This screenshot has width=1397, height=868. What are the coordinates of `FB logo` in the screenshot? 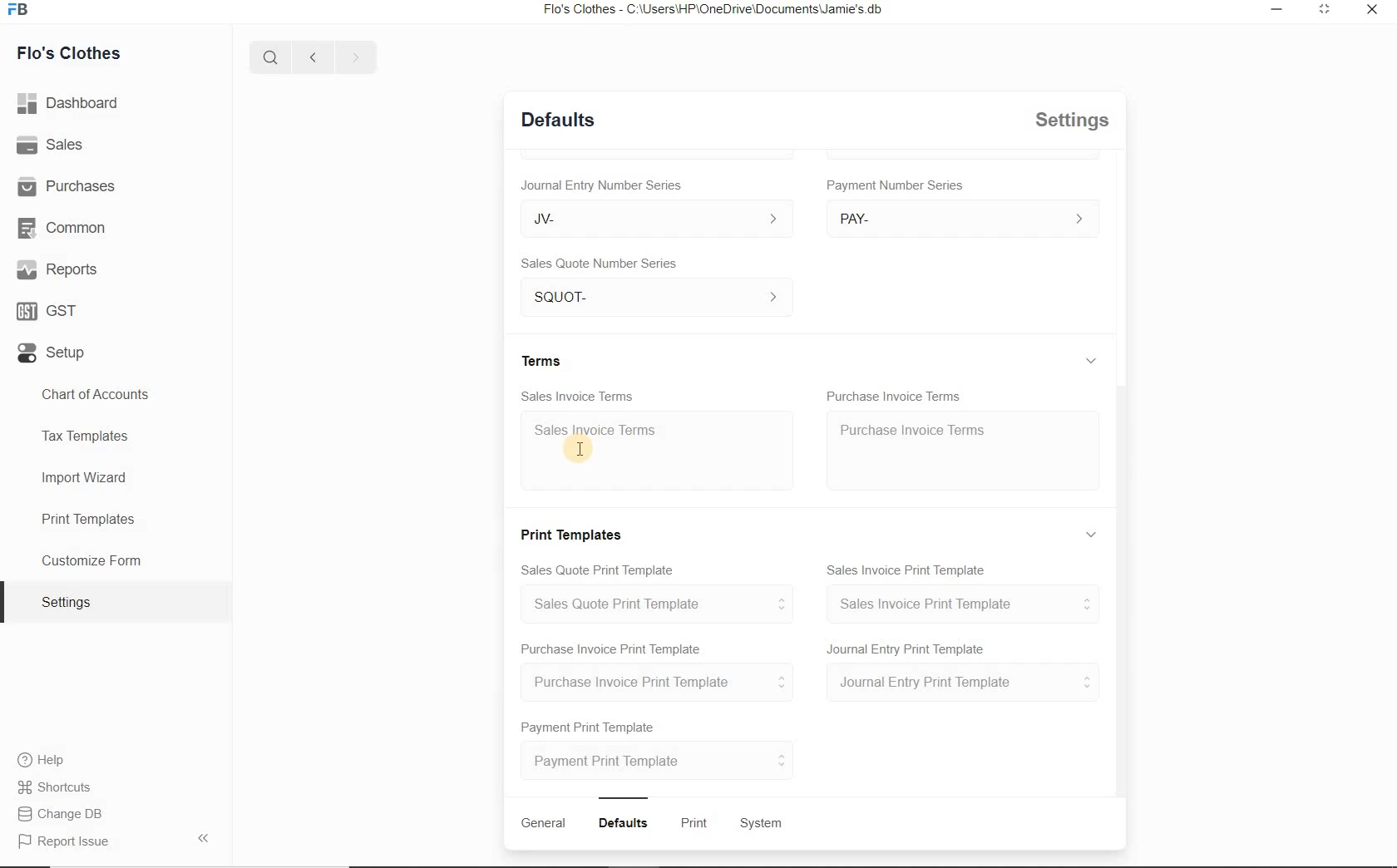 It's located at (23, 10).